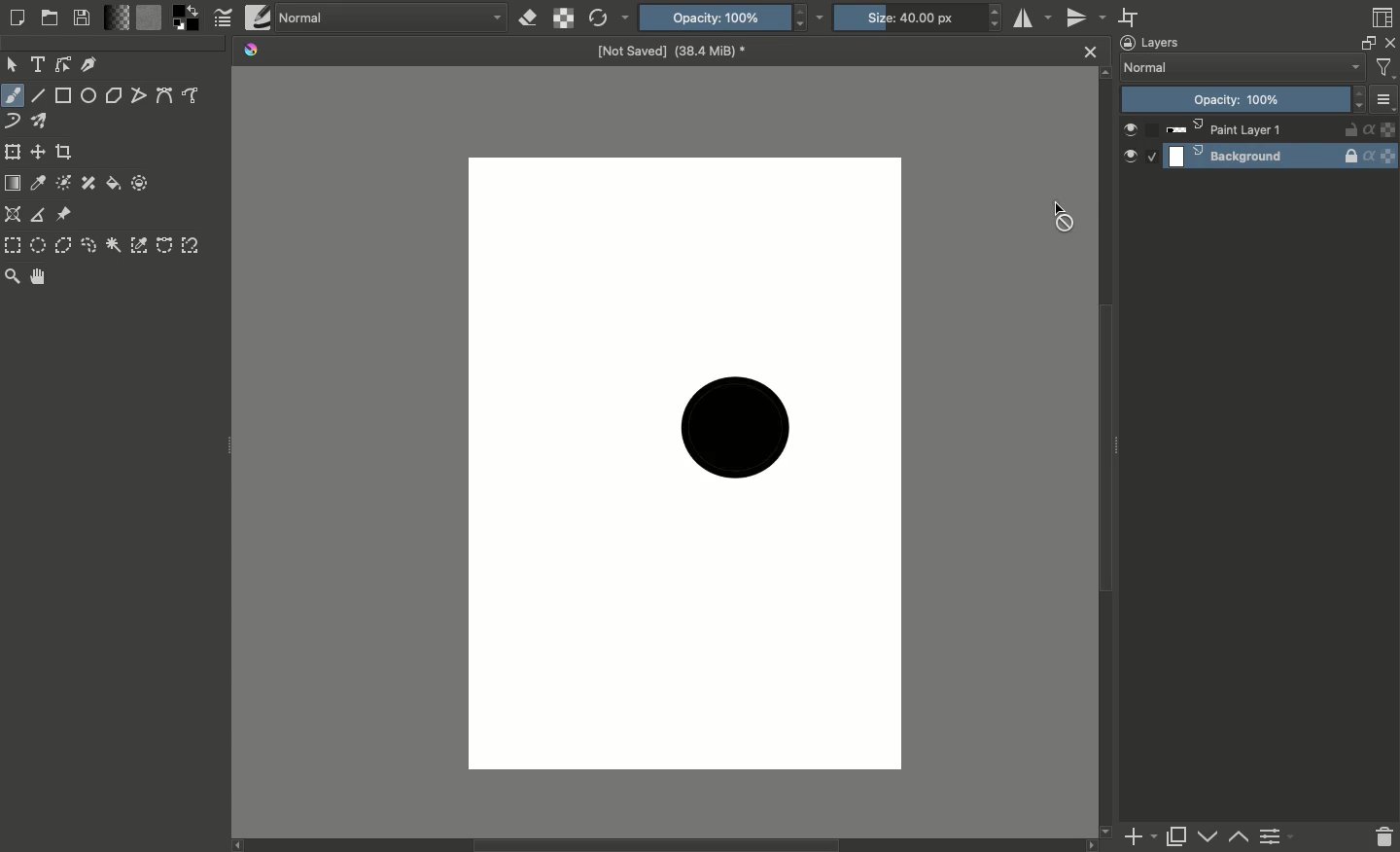  What do you see at coordinates (1369, 45) in the screenshot?
I see `Float decker` at bounding box center [1369, 45].